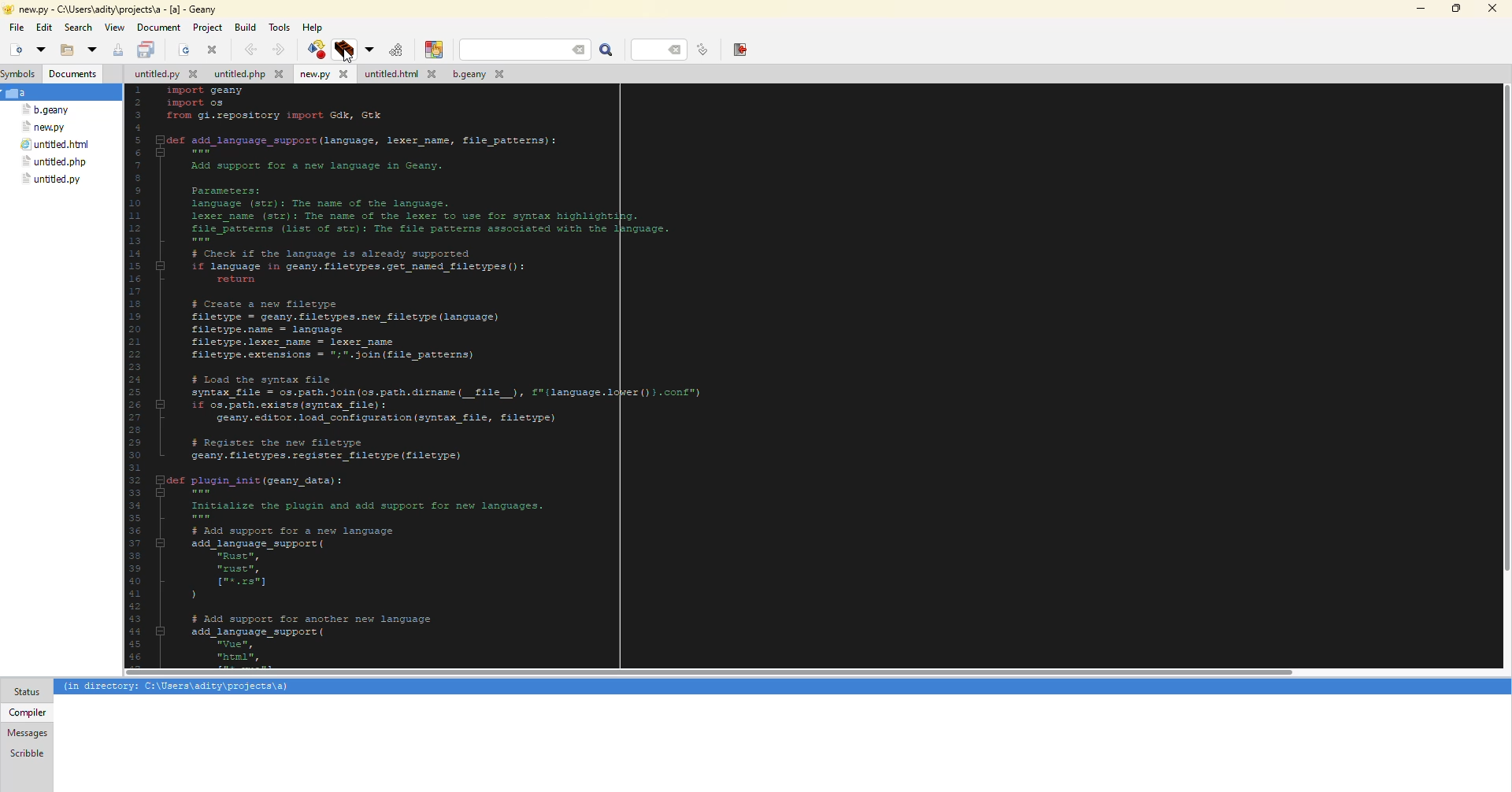 This screenshot has width=1512, height=792. Describe the element at coordinates (90, 50) in the screenshot. I see `open` at that location.